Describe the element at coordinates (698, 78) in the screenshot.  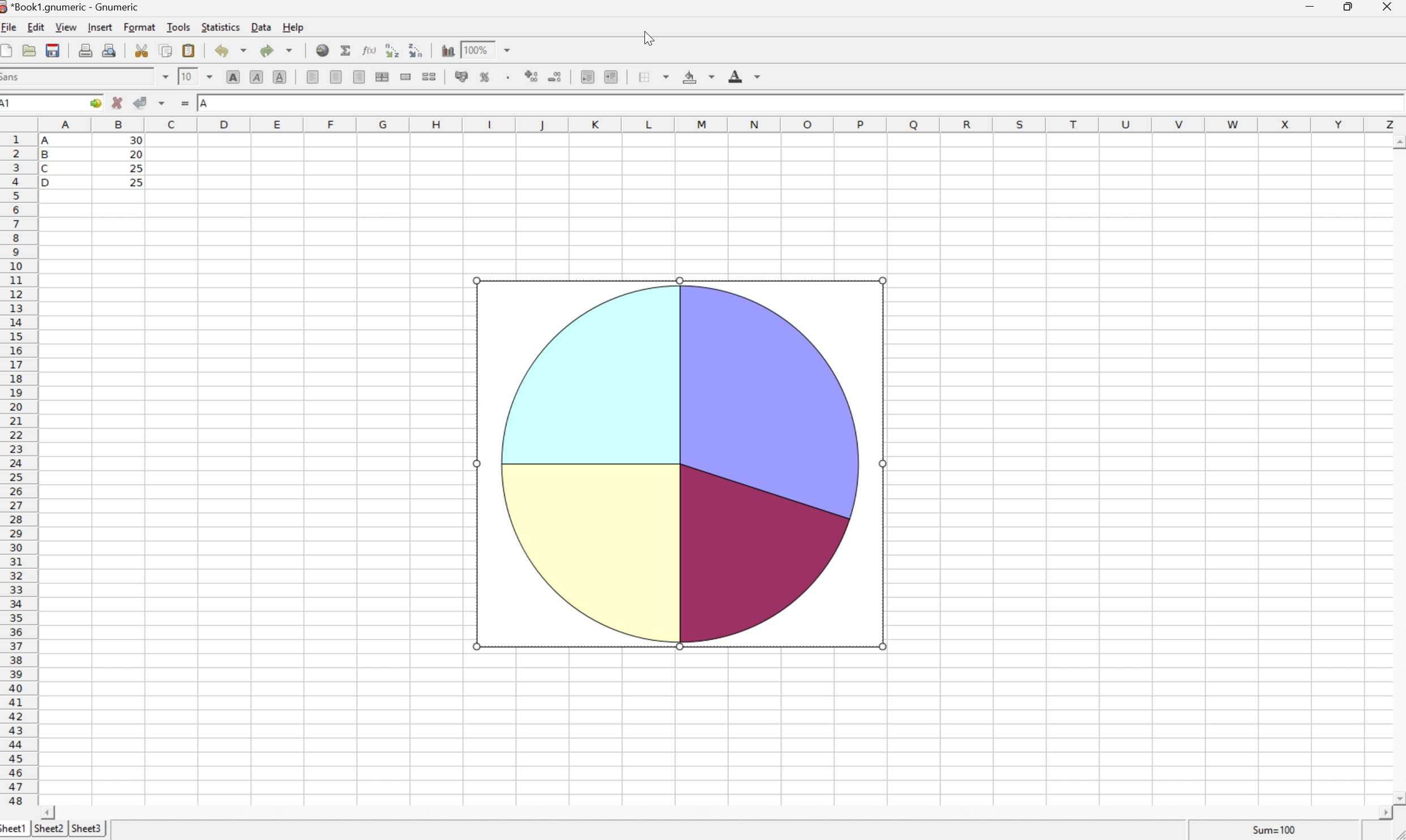
I see `Background` at that location.